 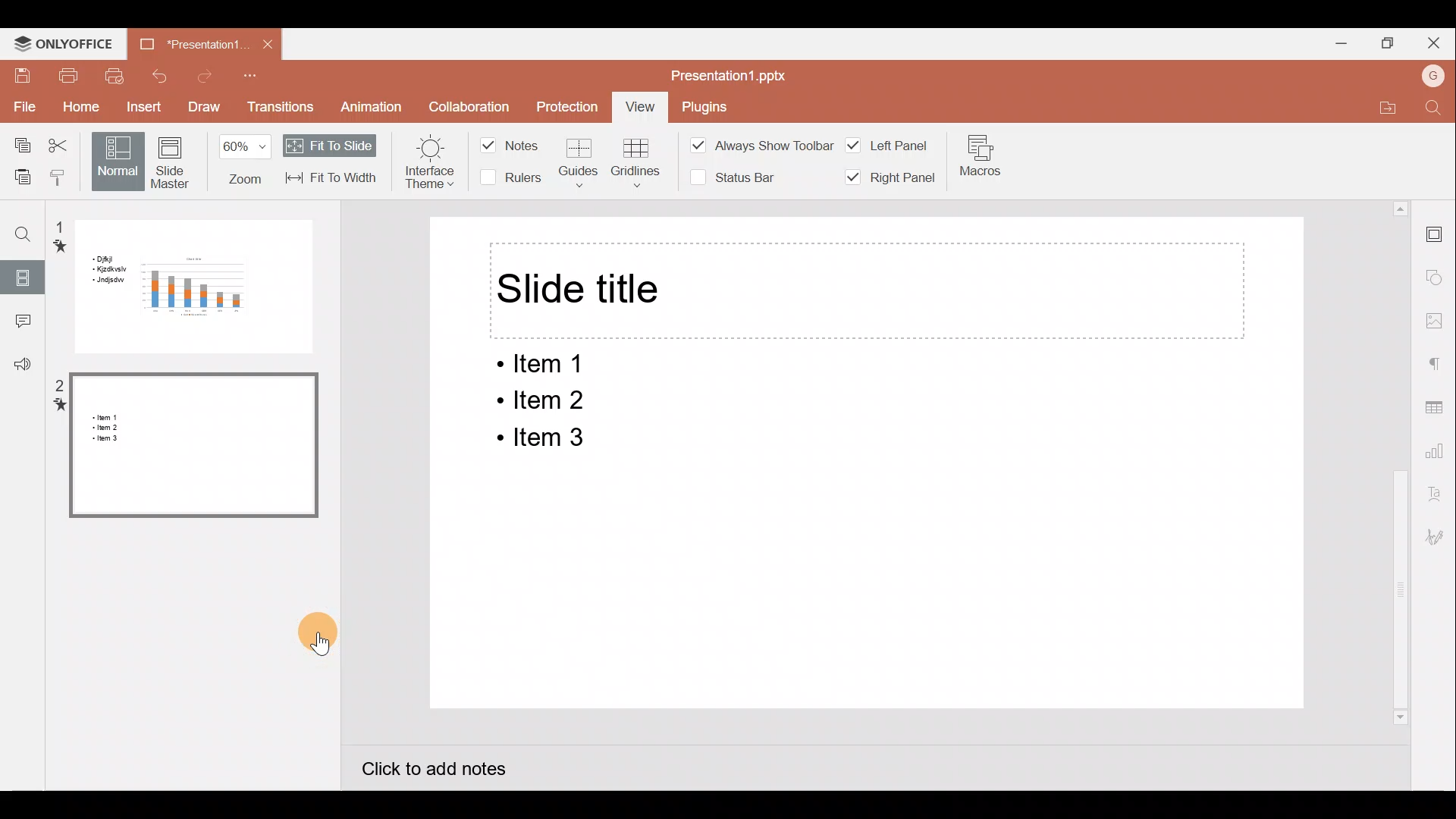 What do you see at coordinates (1437, 275) in the screenshot?
I see `Shapes settings` at bounding box center [1437, 275].